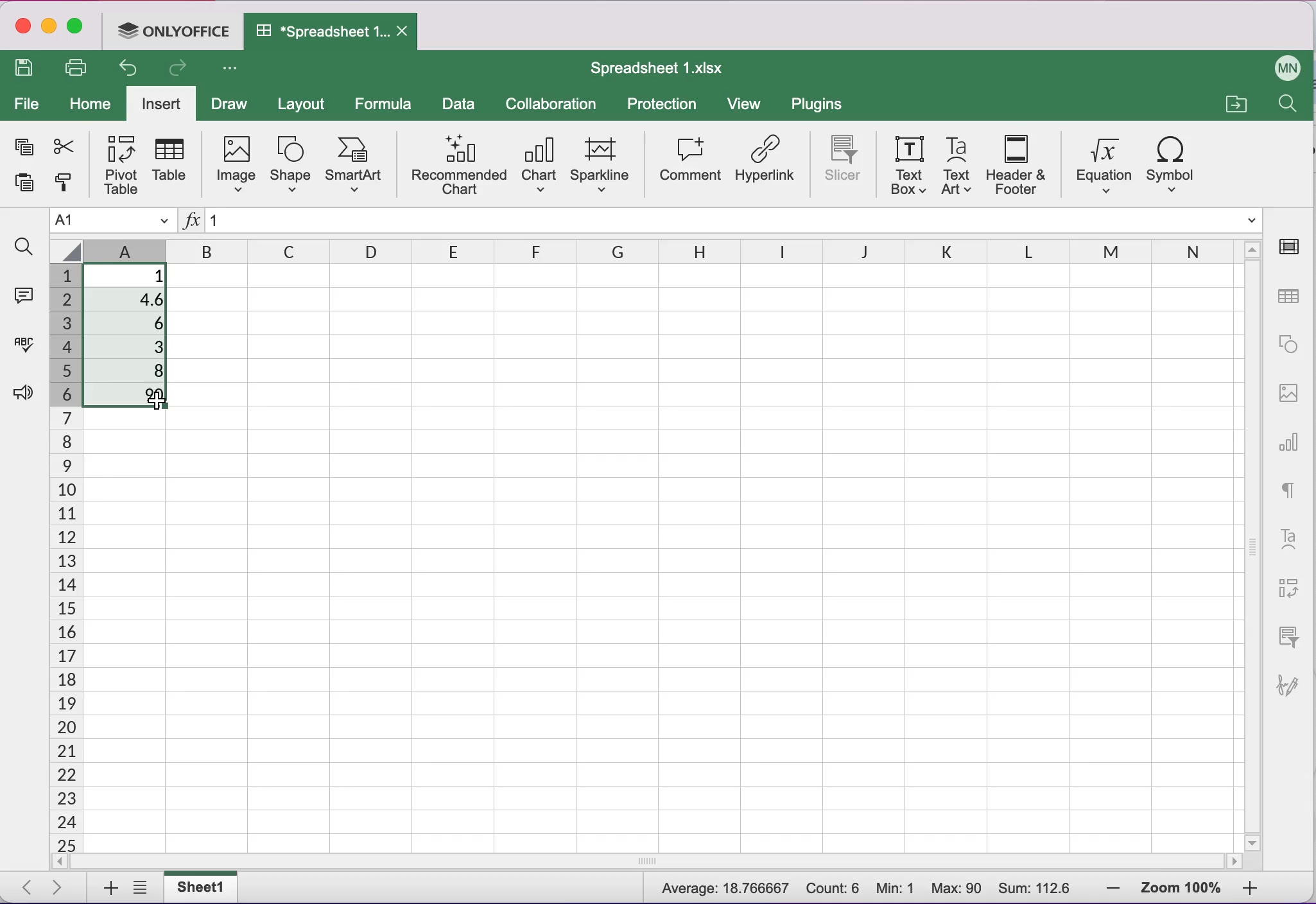  Describe the element at coordinates (1100, 166) in the screenshot. I see `equation` at that location.